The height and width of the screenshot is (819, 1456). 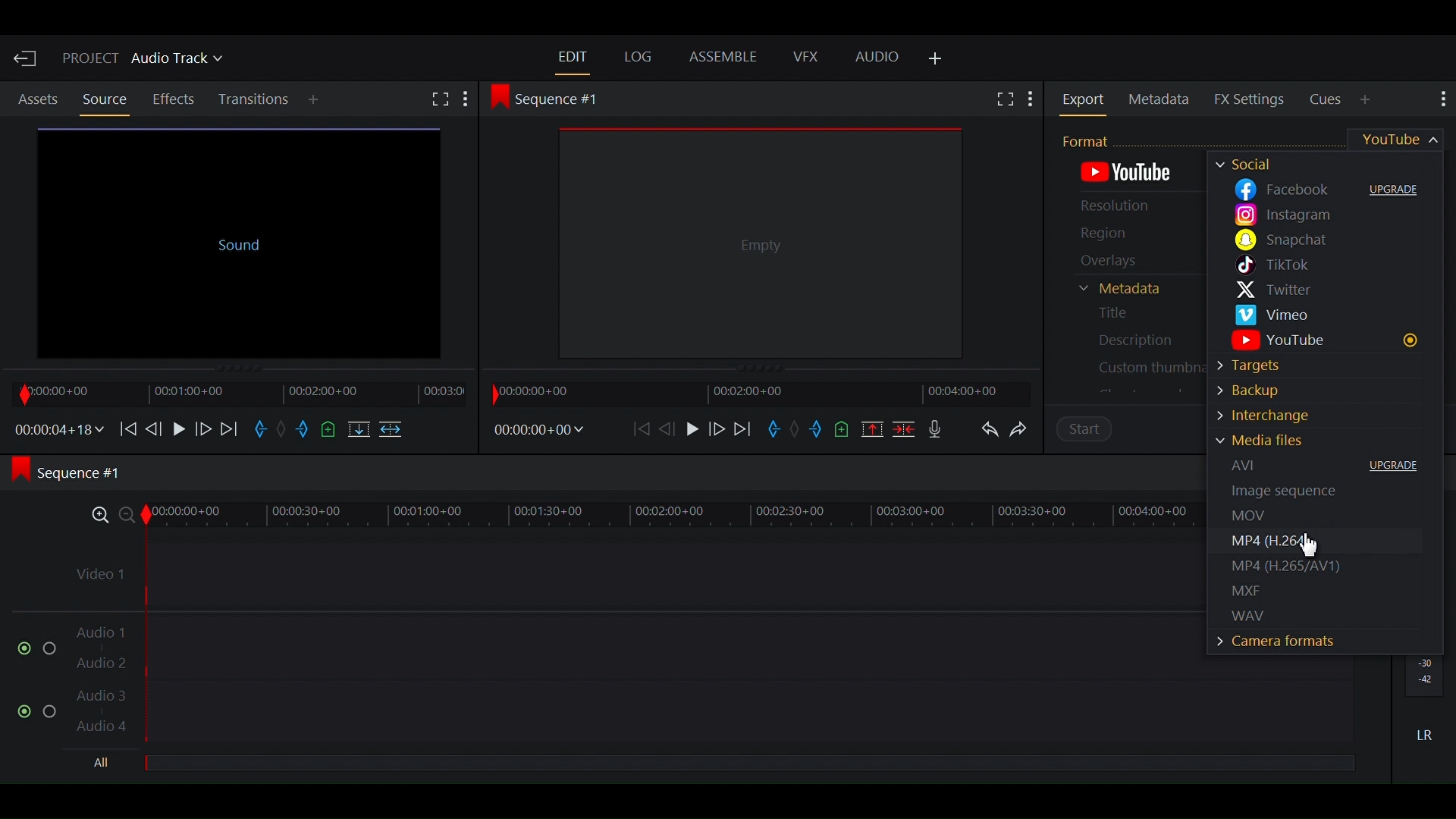 What do you see at coordinates (1322, 617) in the screenshot?
I see `WAV` at bounding box center [1322, 617].